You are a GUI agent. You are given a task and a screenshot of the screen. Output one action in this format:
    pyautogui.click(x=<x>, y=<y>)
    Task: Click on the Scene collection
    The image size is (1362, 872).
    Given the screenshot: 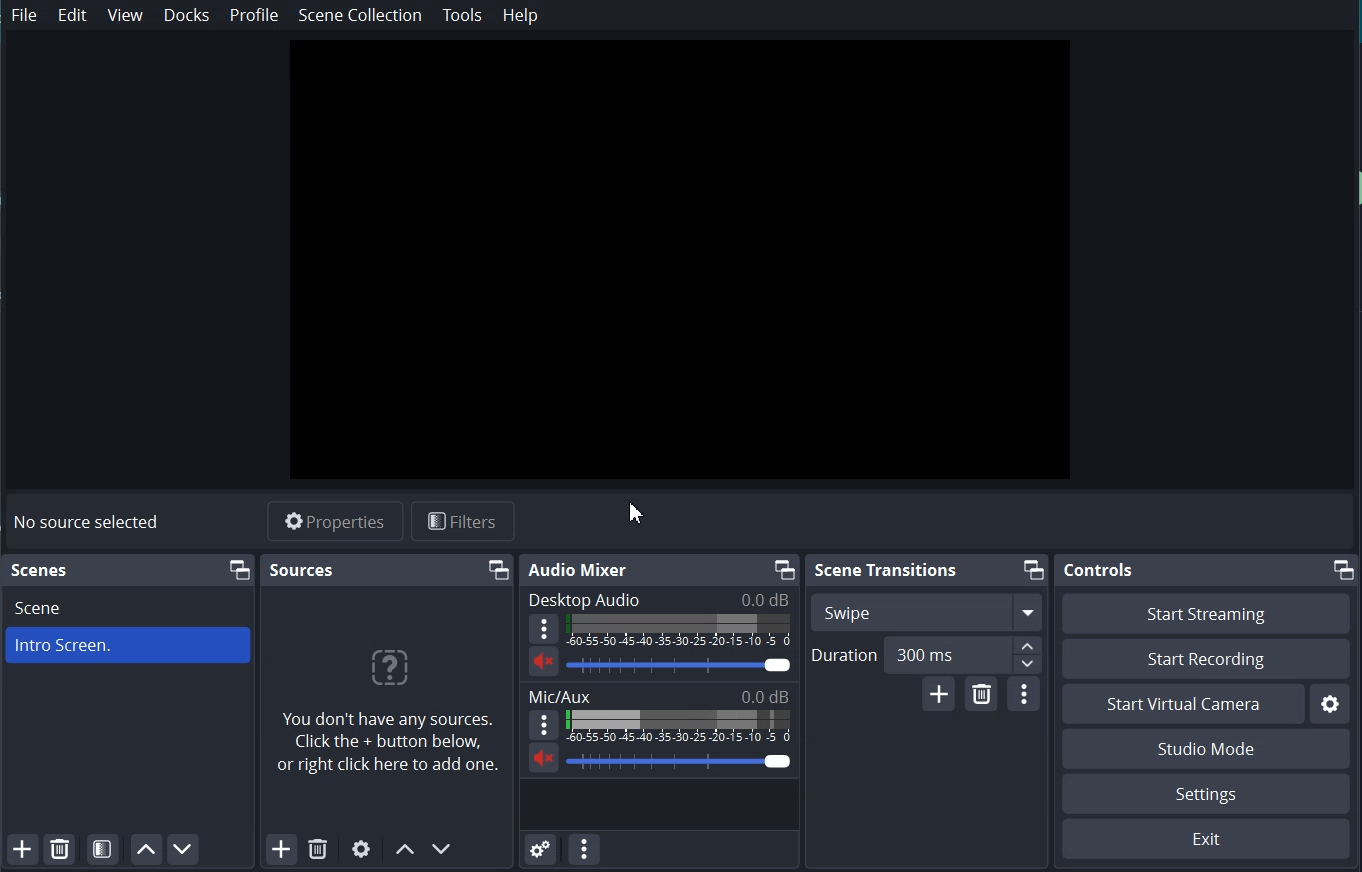 What is the action you would take?
    pyautogui.click(x=360, y=15)
    